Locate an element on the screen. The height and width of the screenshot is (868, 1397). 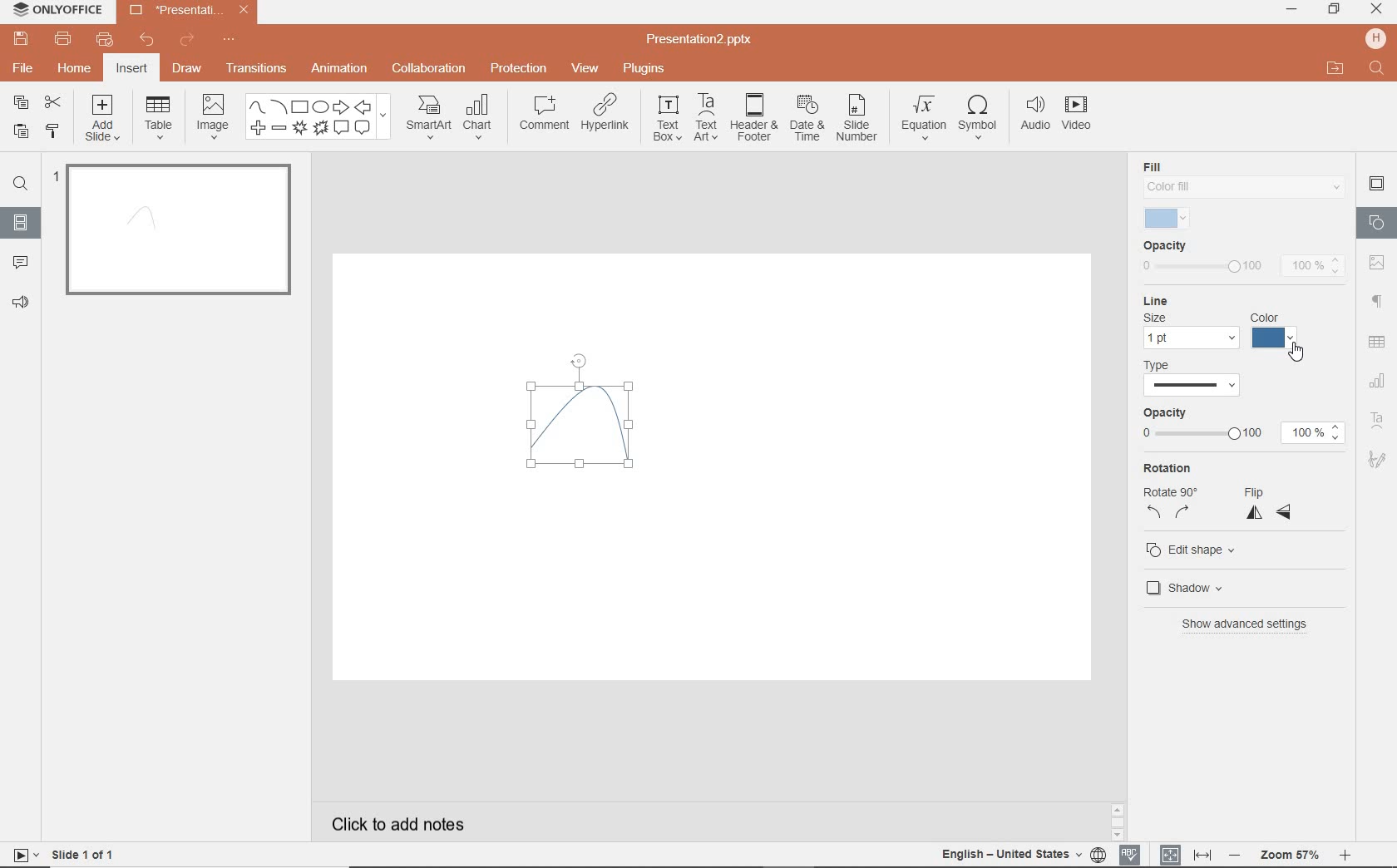
CHART is located at coordinates (481, 119).